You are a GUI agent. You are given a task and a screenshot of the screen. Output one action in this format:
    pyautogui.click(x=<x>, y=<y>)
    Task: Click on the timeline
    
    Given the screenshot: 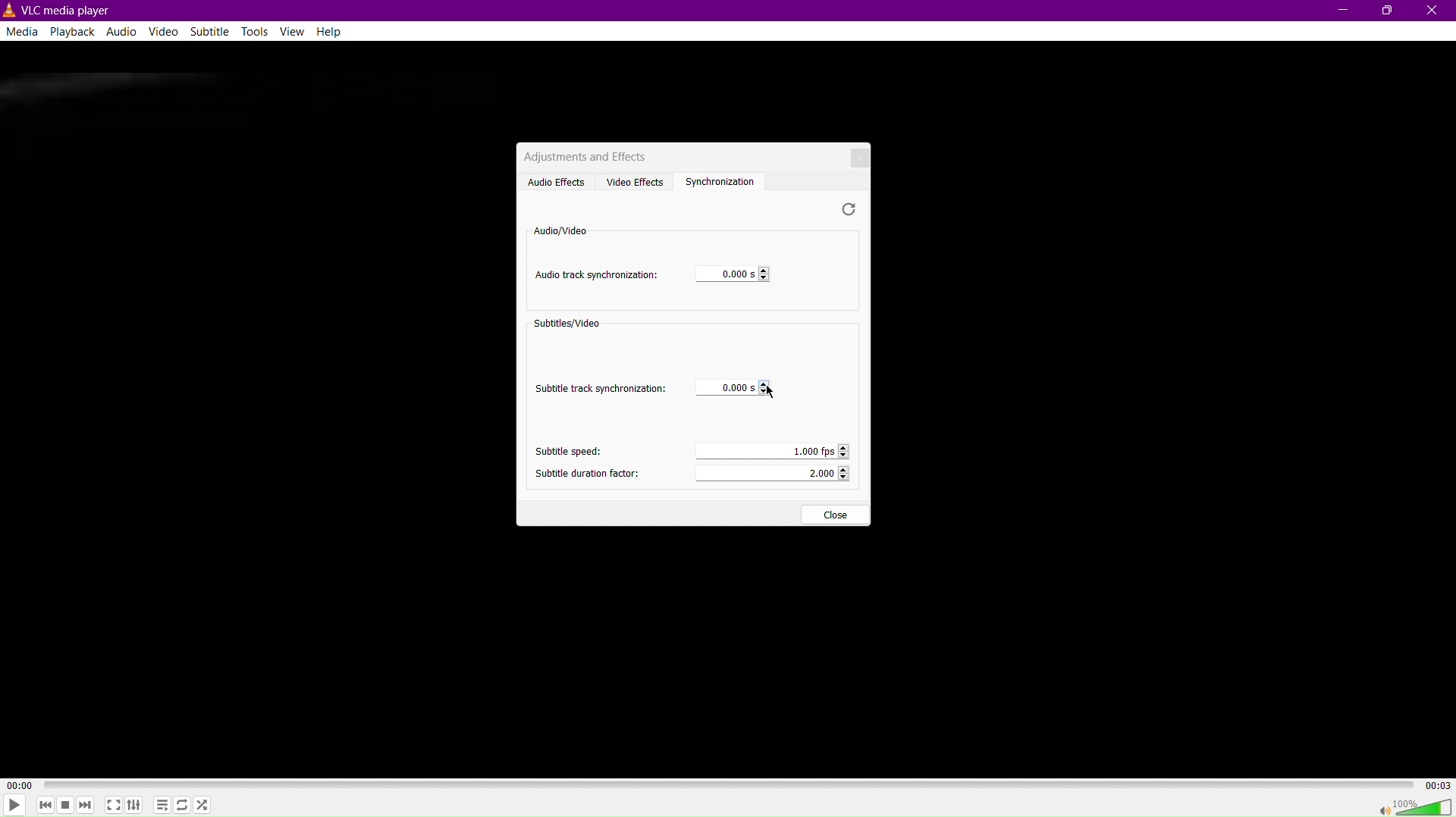 What is the action you would take?
    pyautogui.click(x=729, y=784)
    